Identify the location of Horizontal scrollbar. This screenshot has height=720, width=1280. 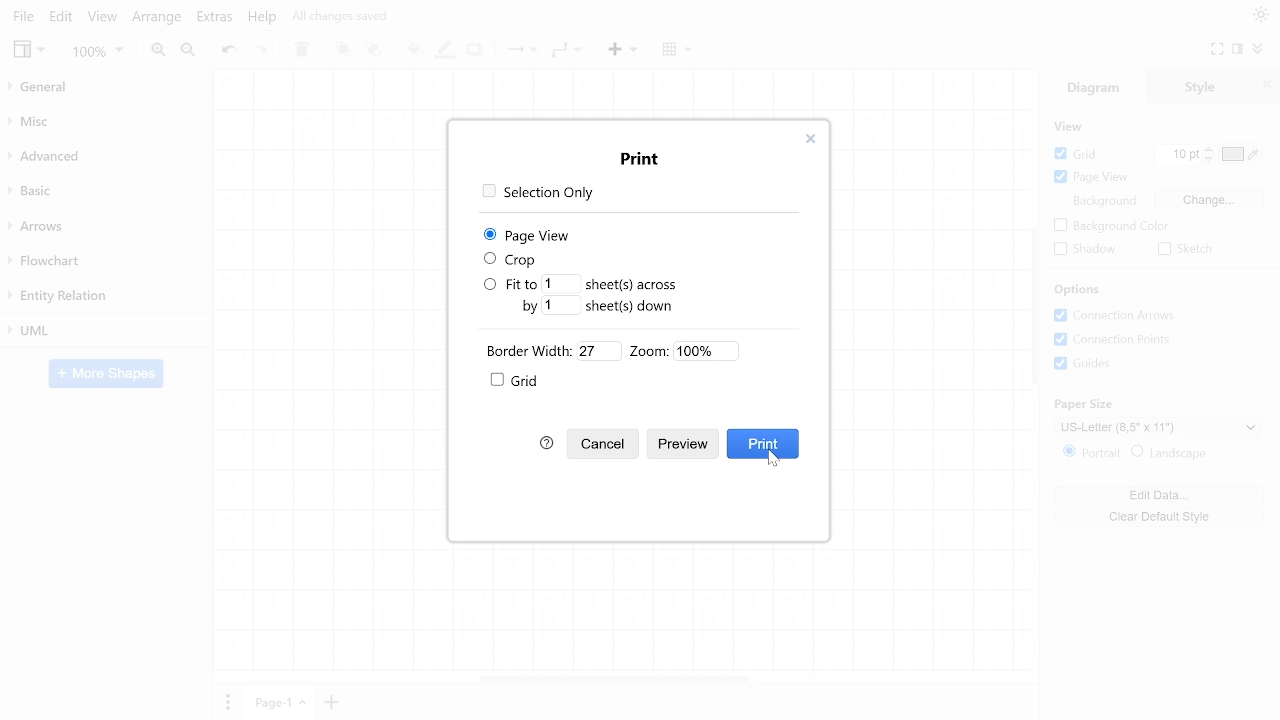
(615, 681).